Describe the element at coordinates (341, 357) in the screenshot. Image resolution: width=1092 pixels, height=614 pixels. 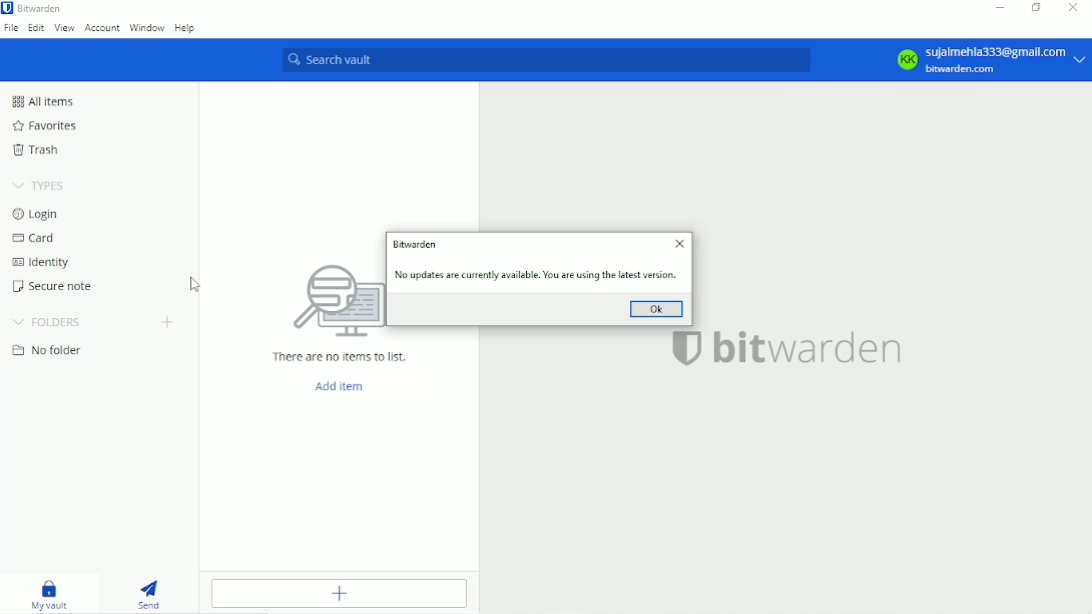
I see `There are no items to list.` at that location.